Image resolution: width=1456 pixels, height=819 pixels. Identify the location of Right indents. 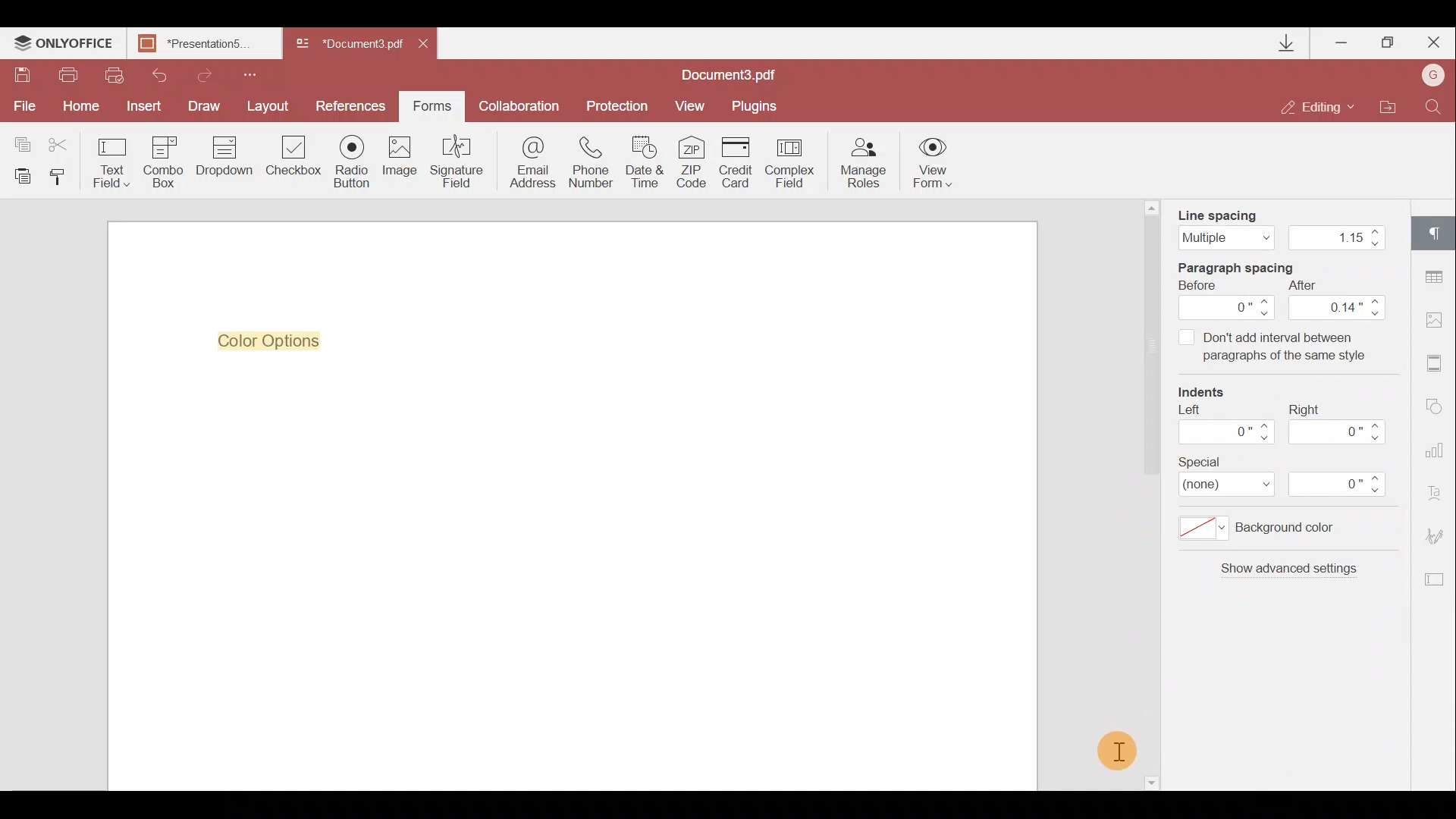
(1341, 410).